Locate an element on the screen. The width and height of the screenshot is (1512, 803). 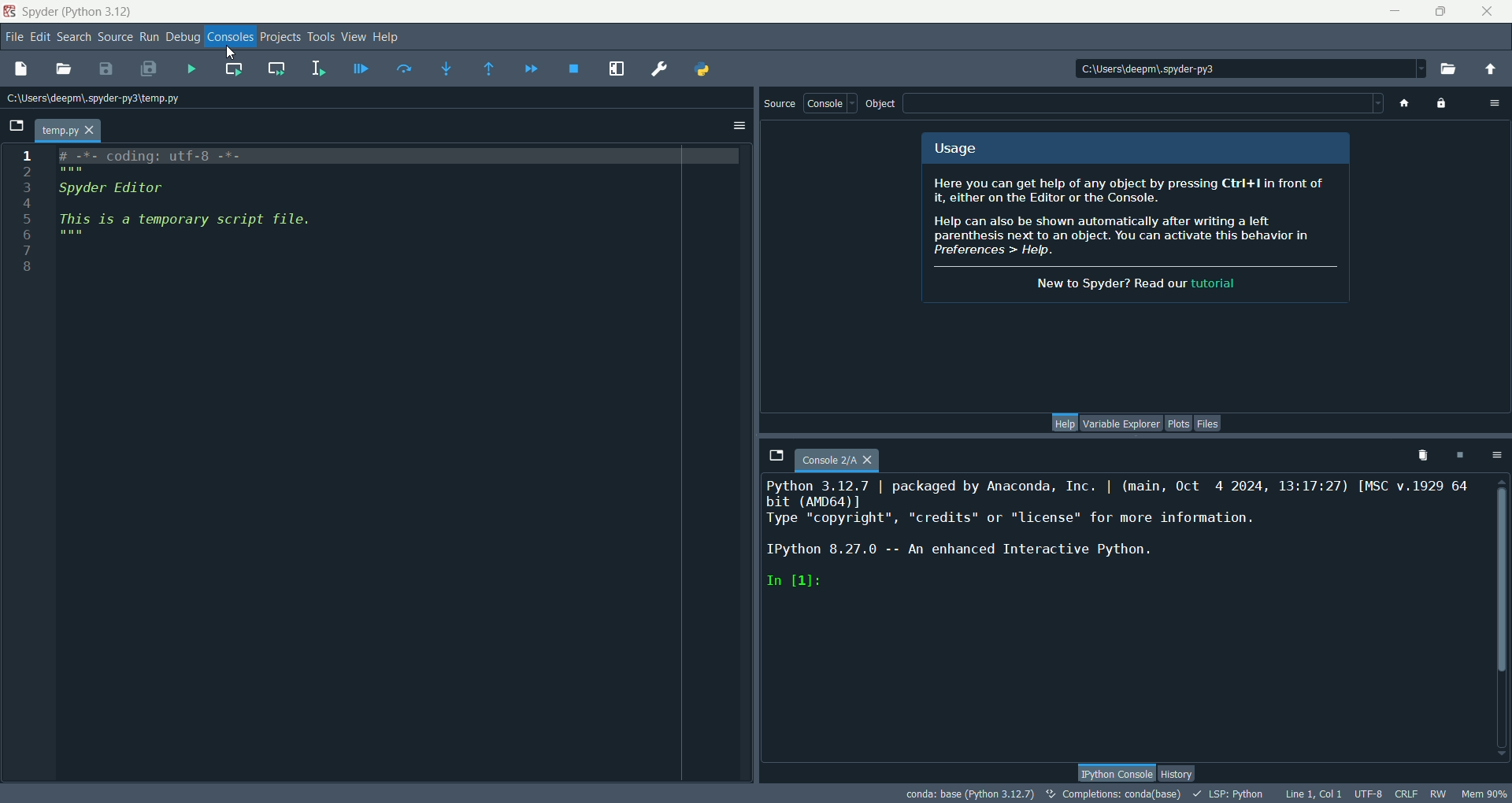
save all files is located at coordinates (149, 68).